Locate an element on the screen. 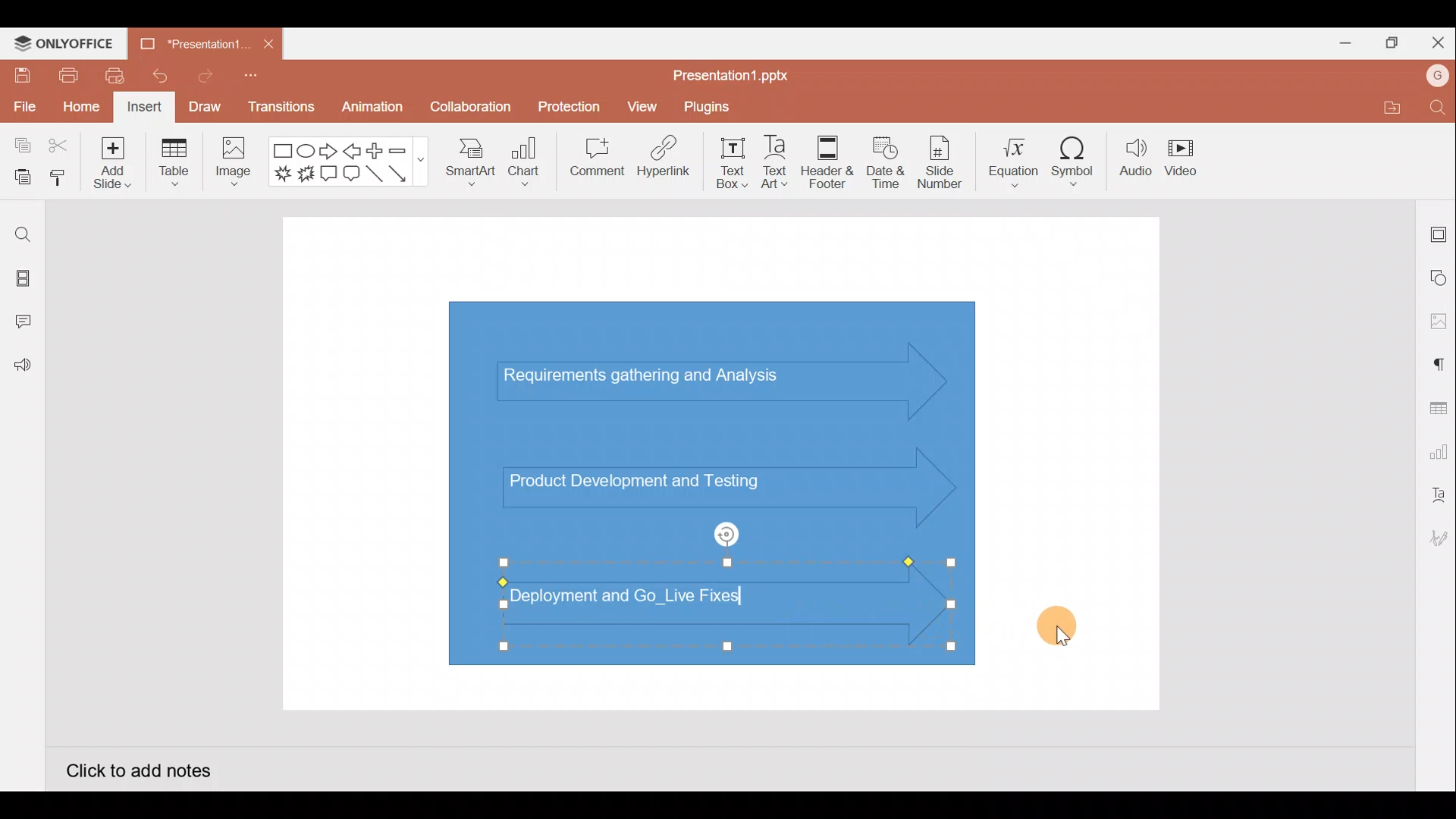  Ellipse is located at coordinates (308, 151).